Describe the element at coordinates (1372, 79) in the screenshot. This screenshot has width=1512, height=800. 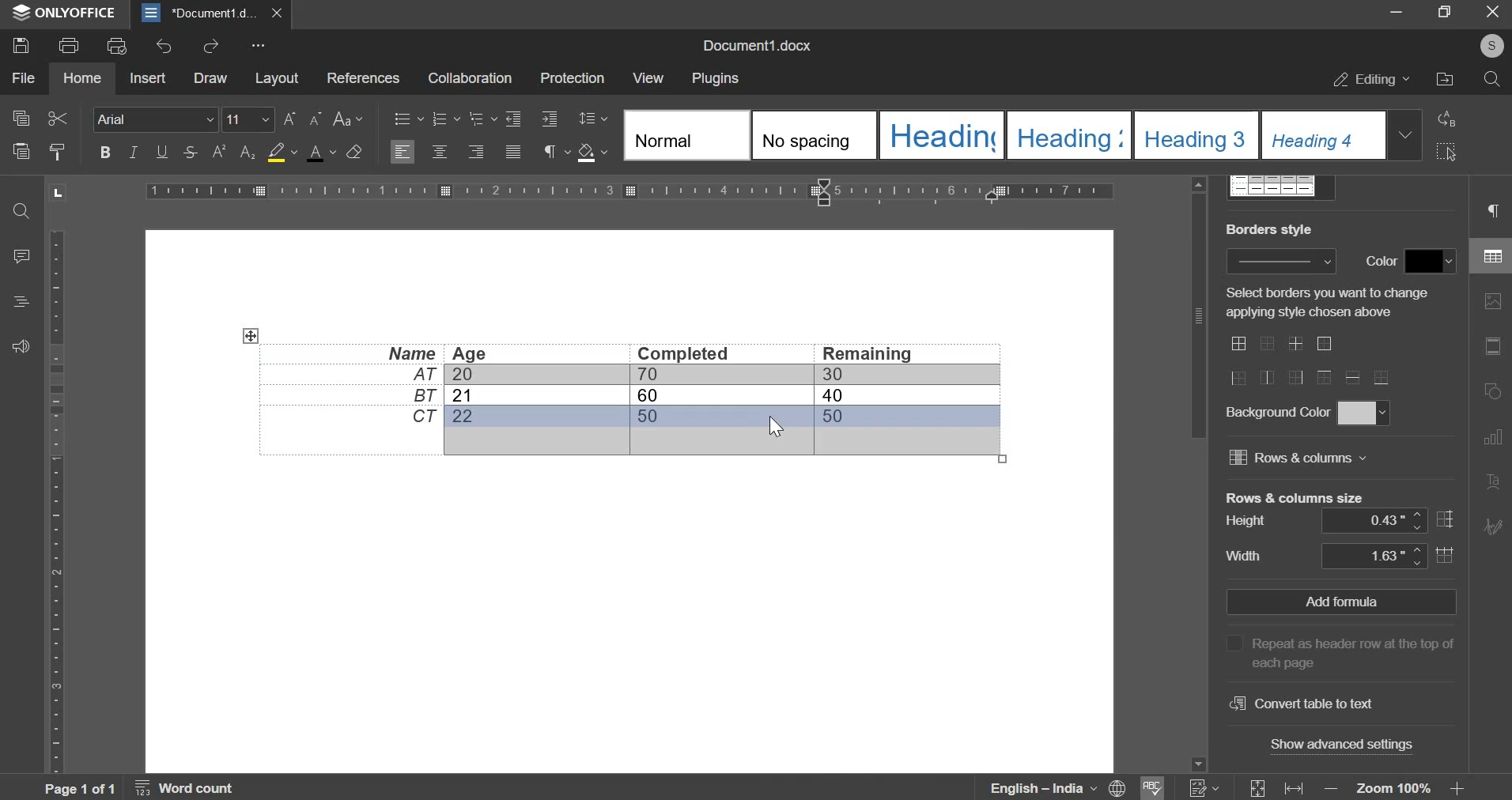
I see `editing` at that location.